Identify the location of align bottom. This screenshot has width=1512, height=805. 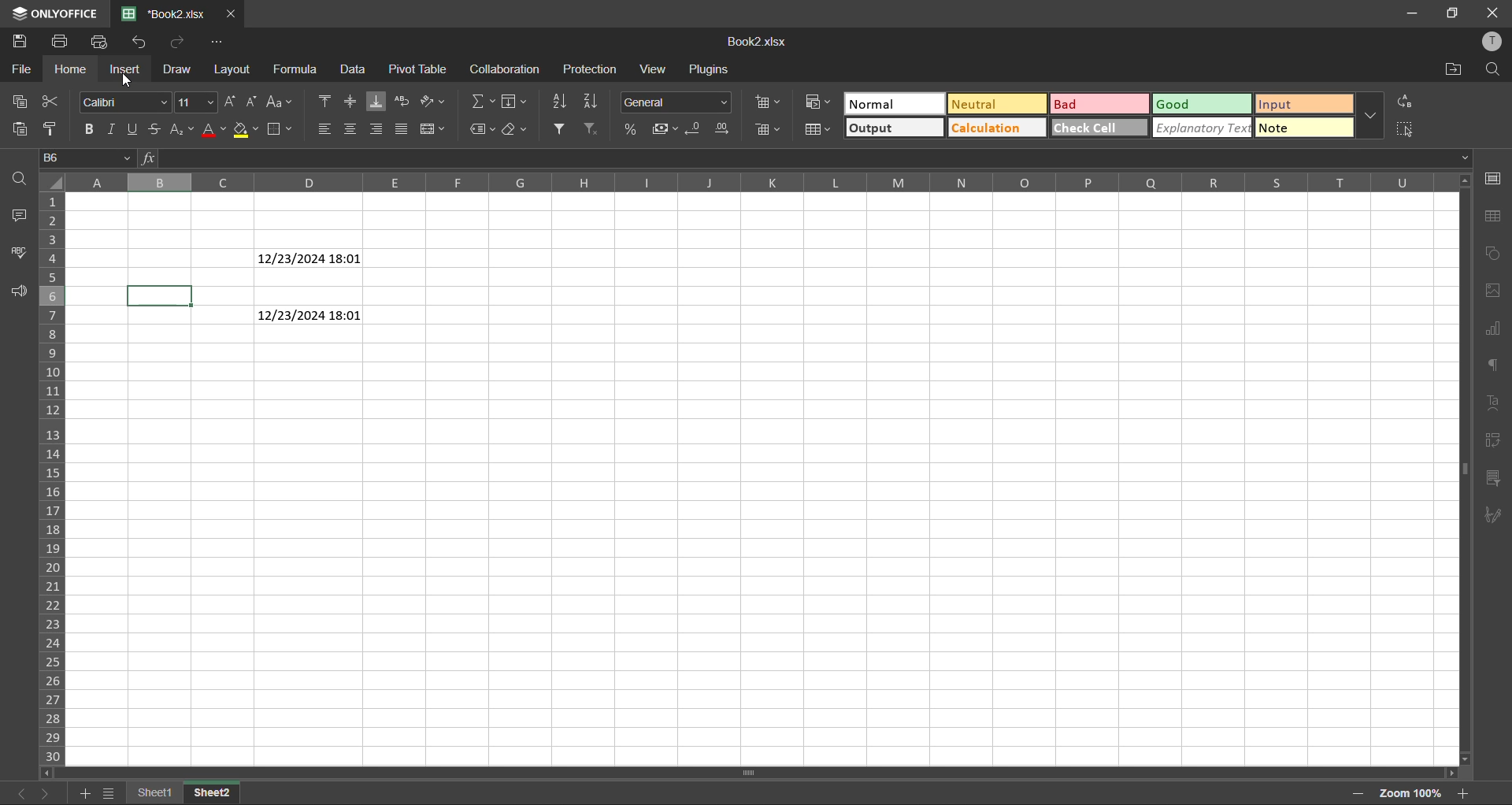
(376, 101).